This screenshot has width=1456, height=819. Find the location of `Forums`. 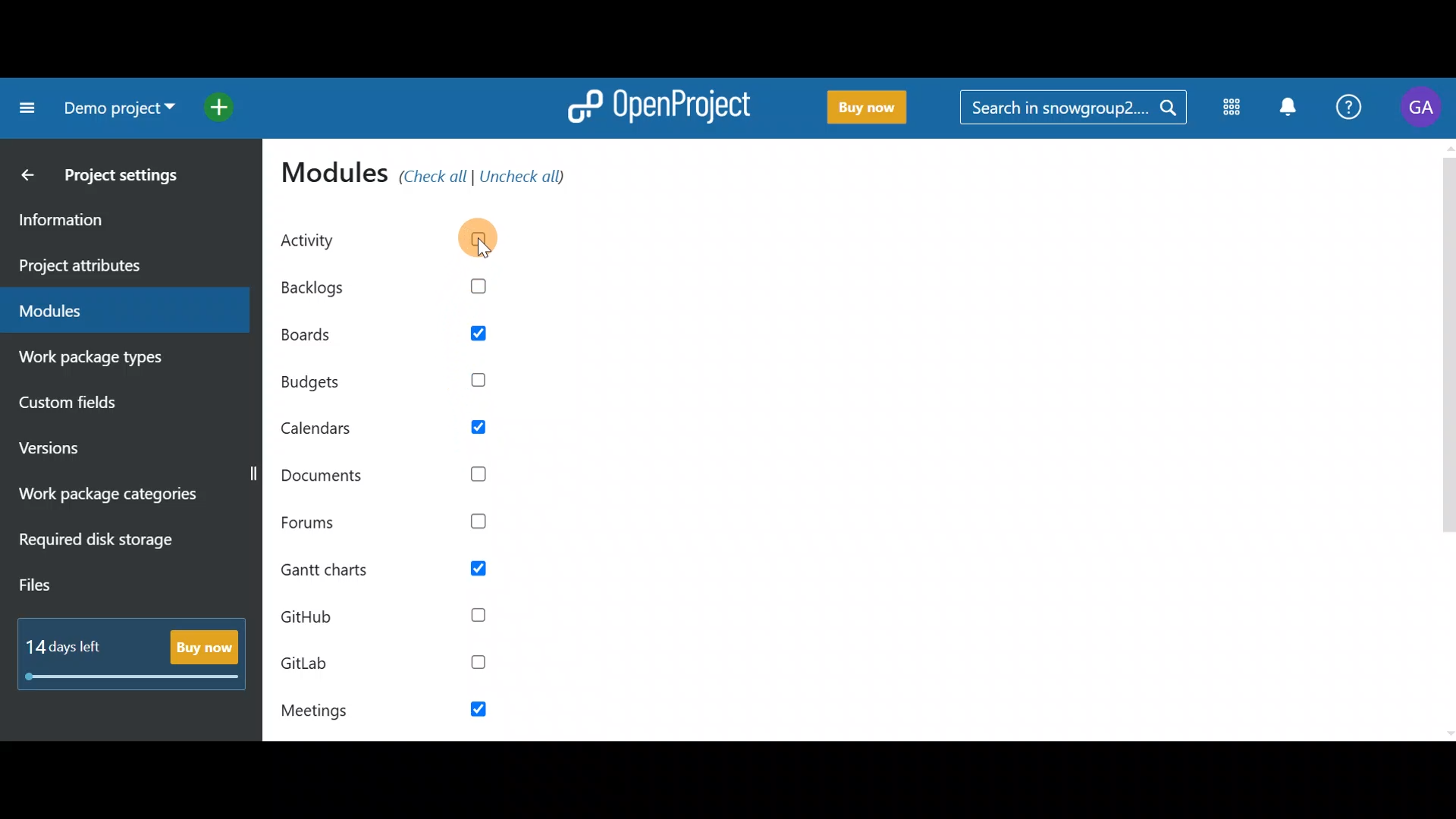

Forums is located at coordinates (391, 525).